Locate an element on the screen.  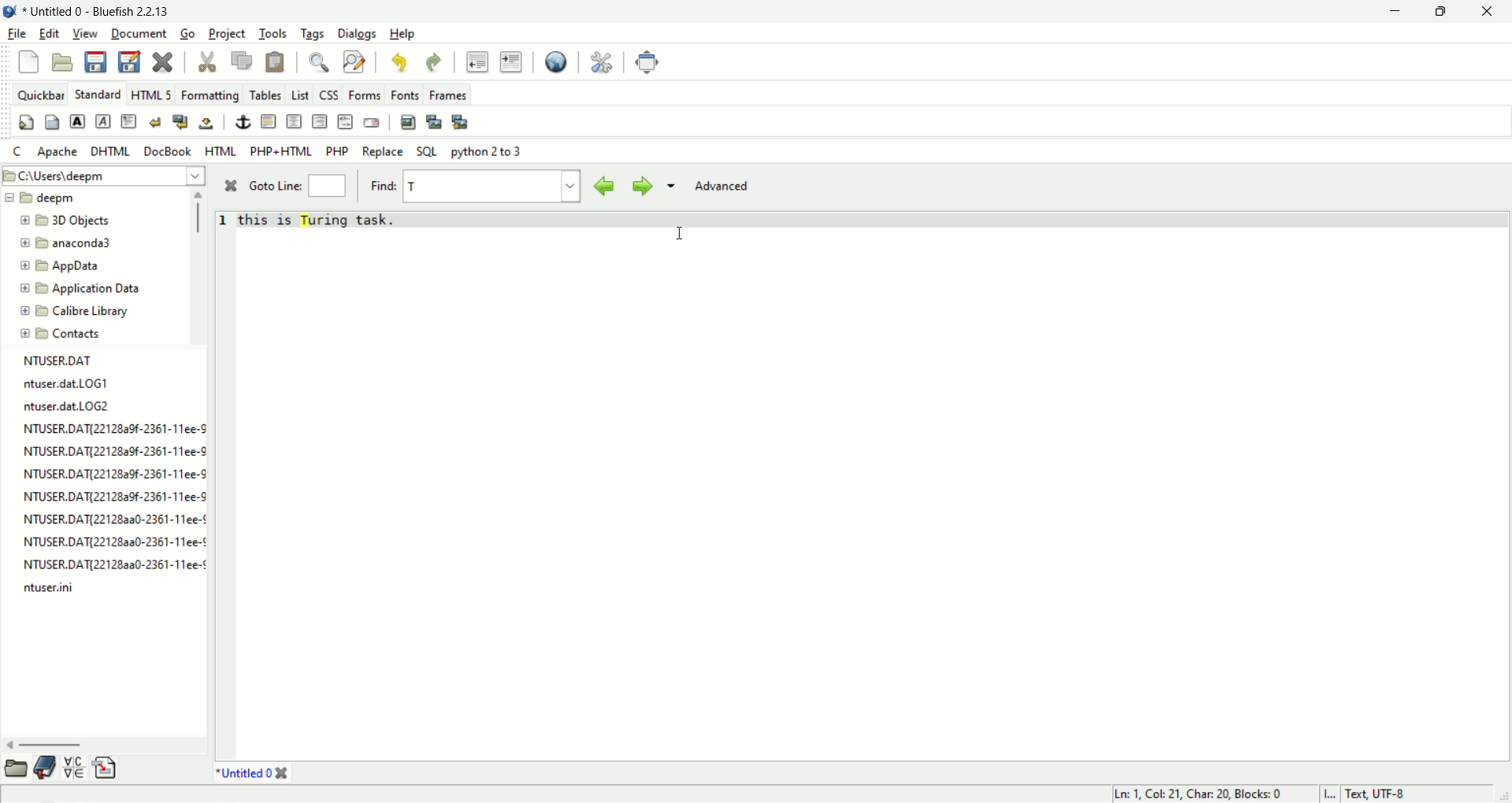
Goto Line: is located at coordinates (277, 187).